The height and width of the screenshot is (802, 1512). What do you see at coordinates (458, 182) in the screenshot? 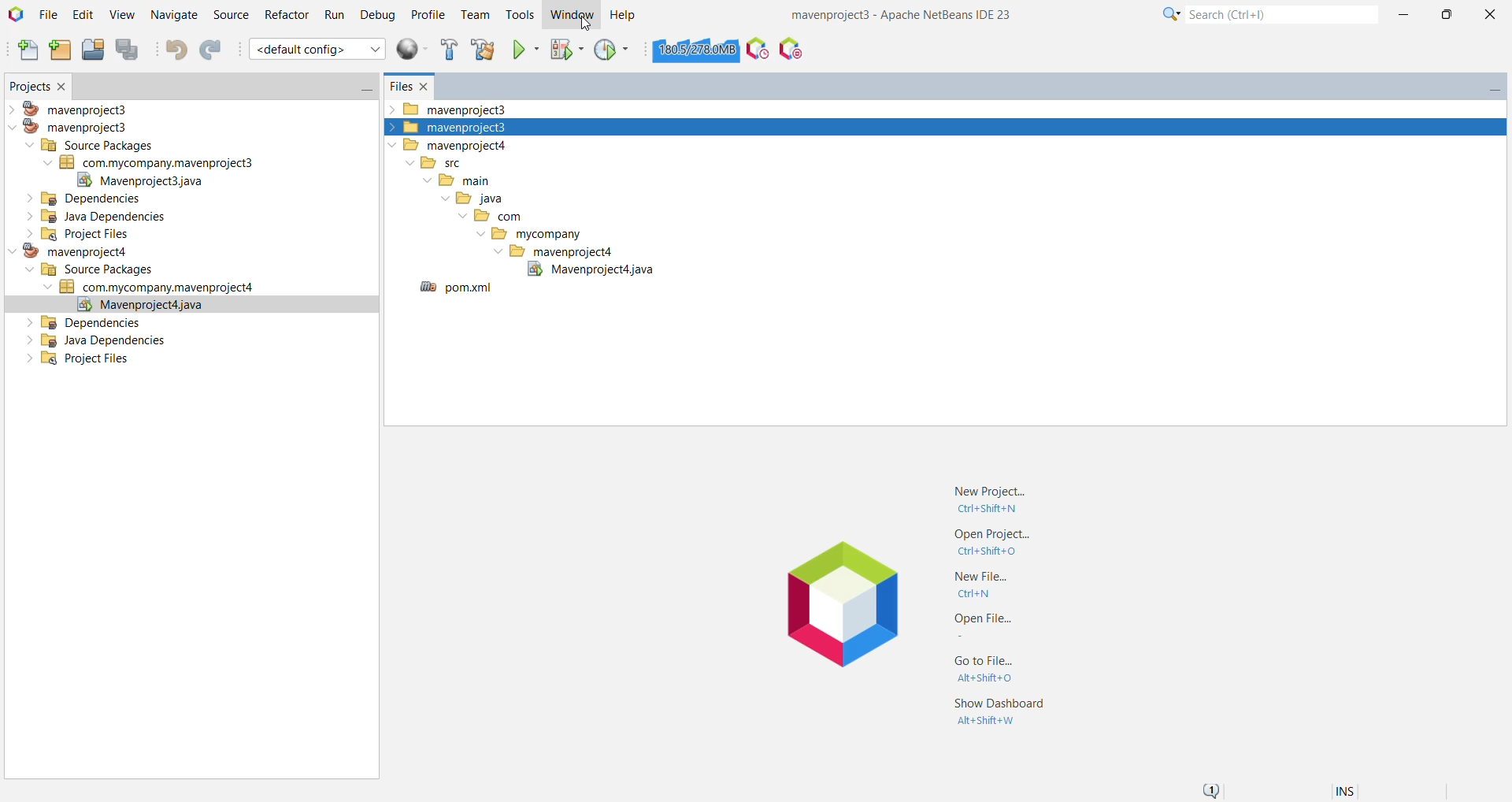
I see `main` at bounding box center [458, 182].